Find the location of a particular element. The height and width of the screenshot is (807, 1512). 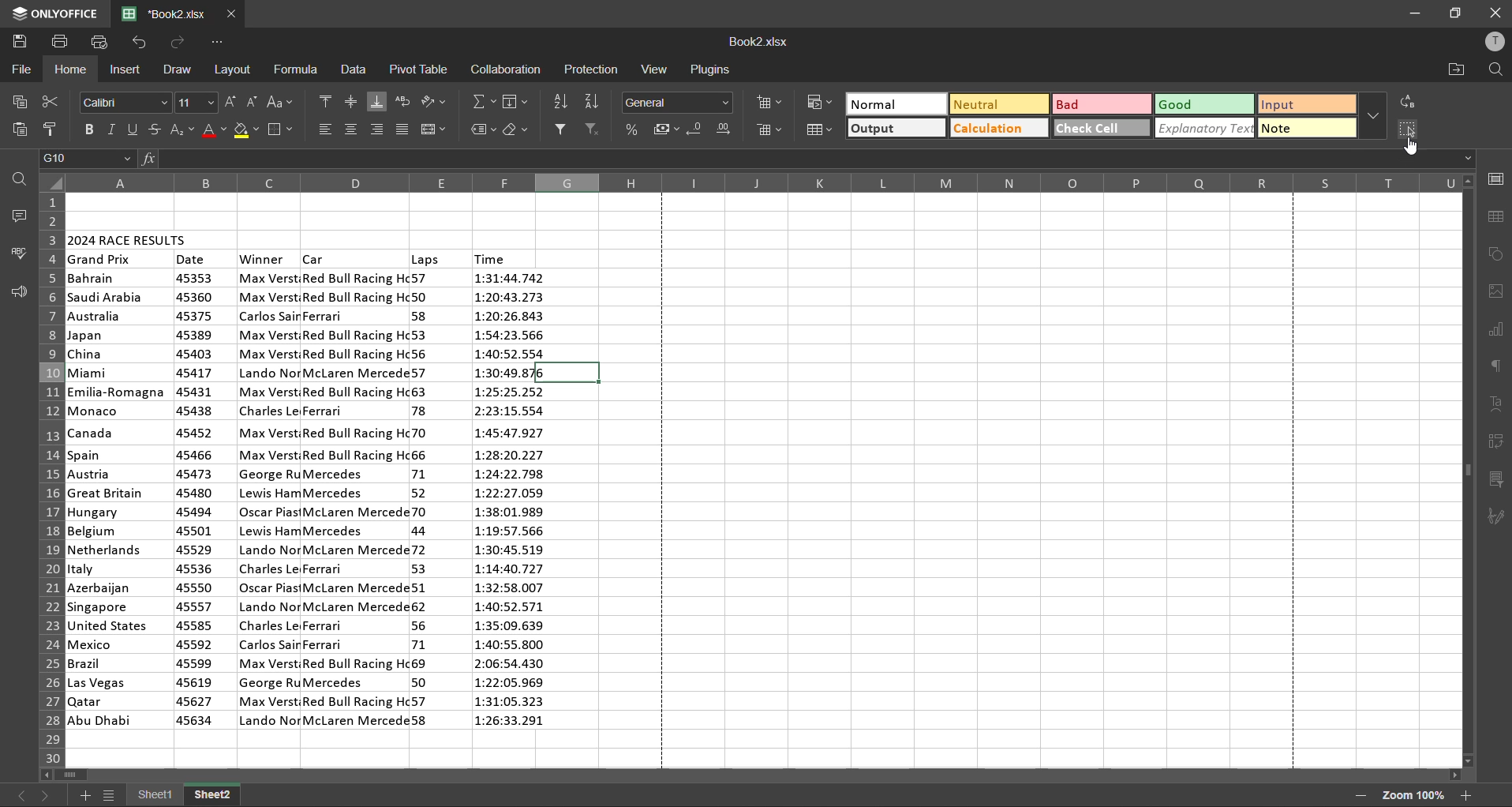

copy is located at coordinates (22, 103).